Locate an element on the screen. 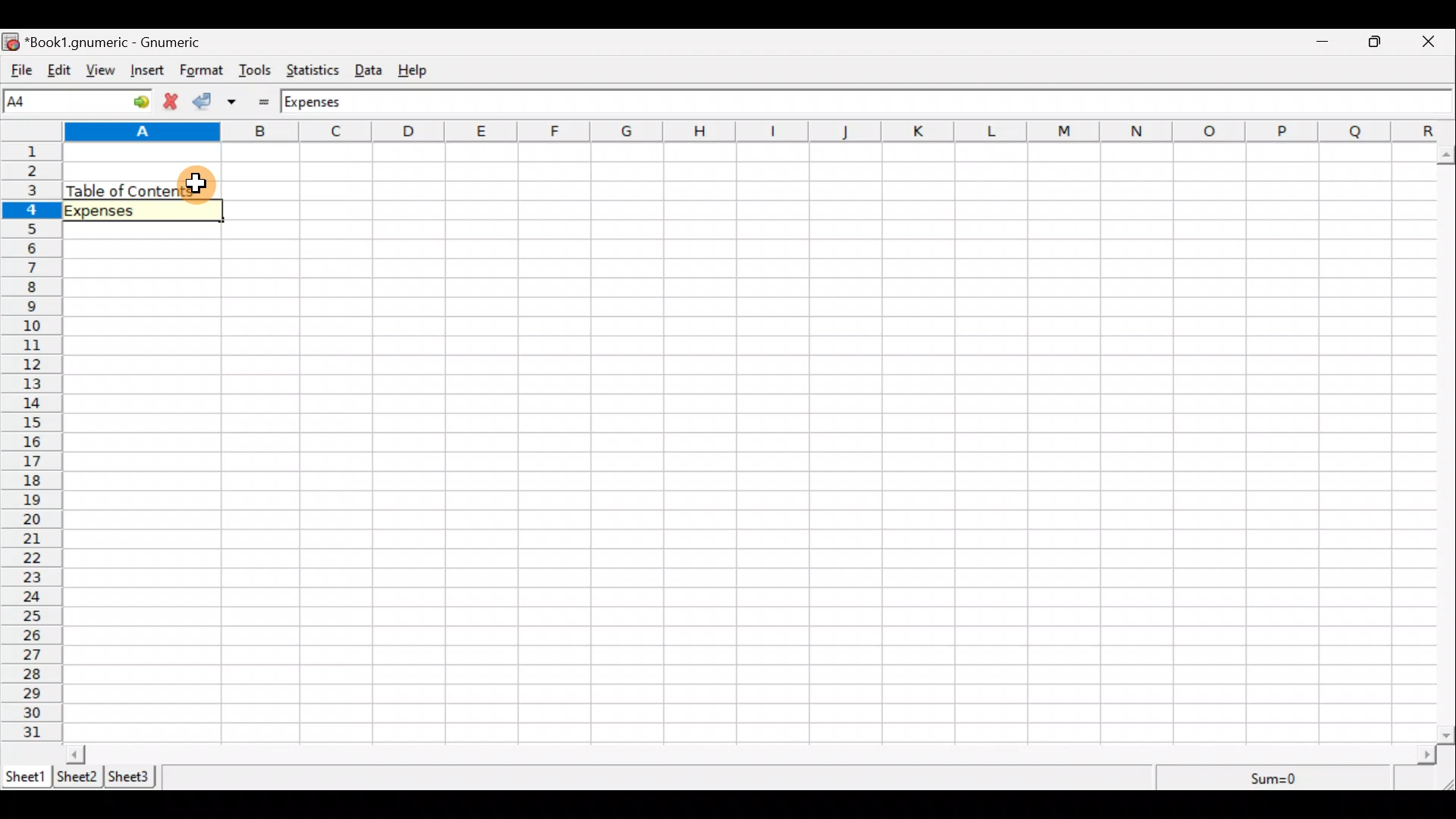  Tools is located at coordinates (256, 71).